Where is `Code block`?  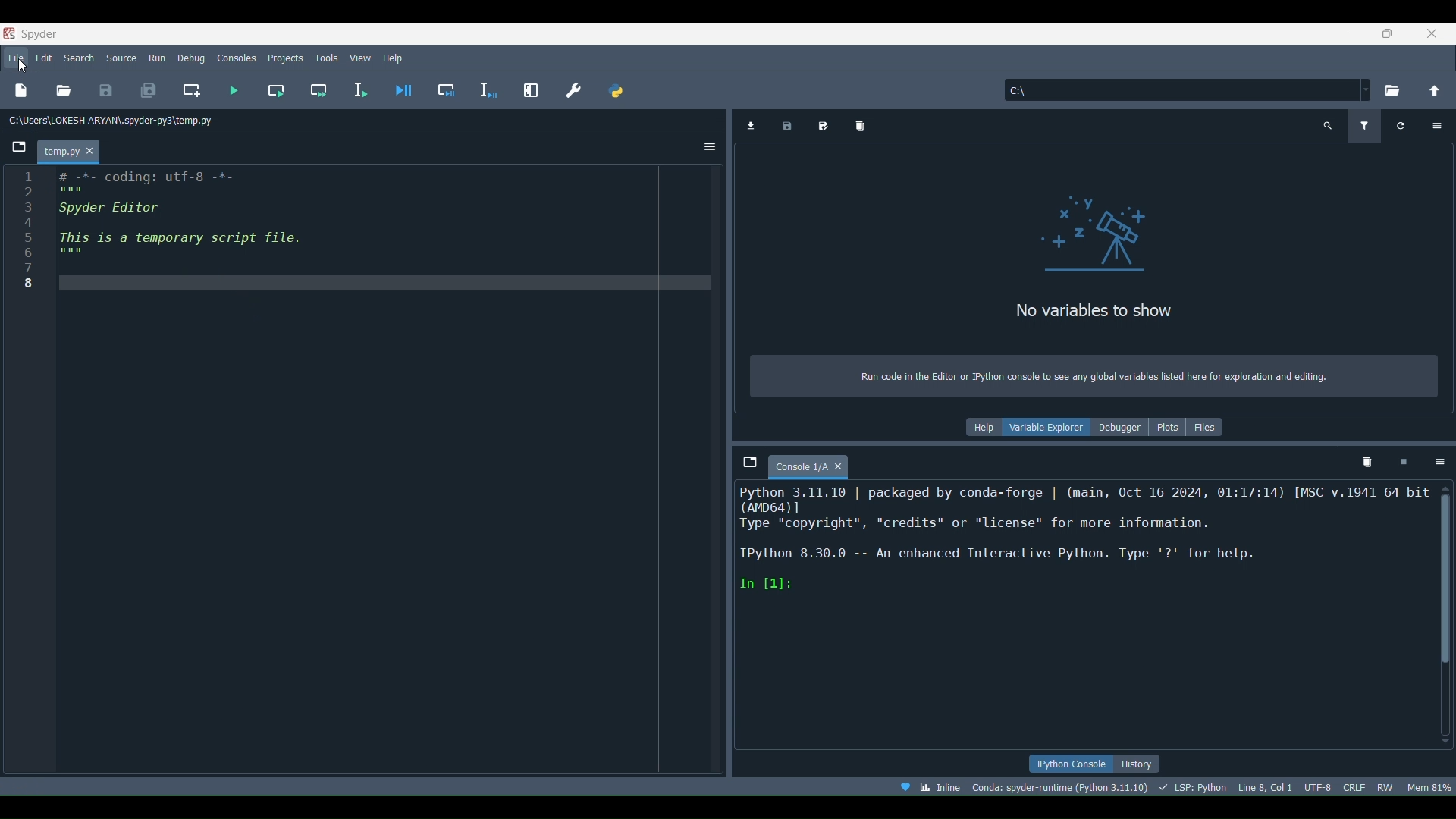 Code block is located at coordinates (363, 471).